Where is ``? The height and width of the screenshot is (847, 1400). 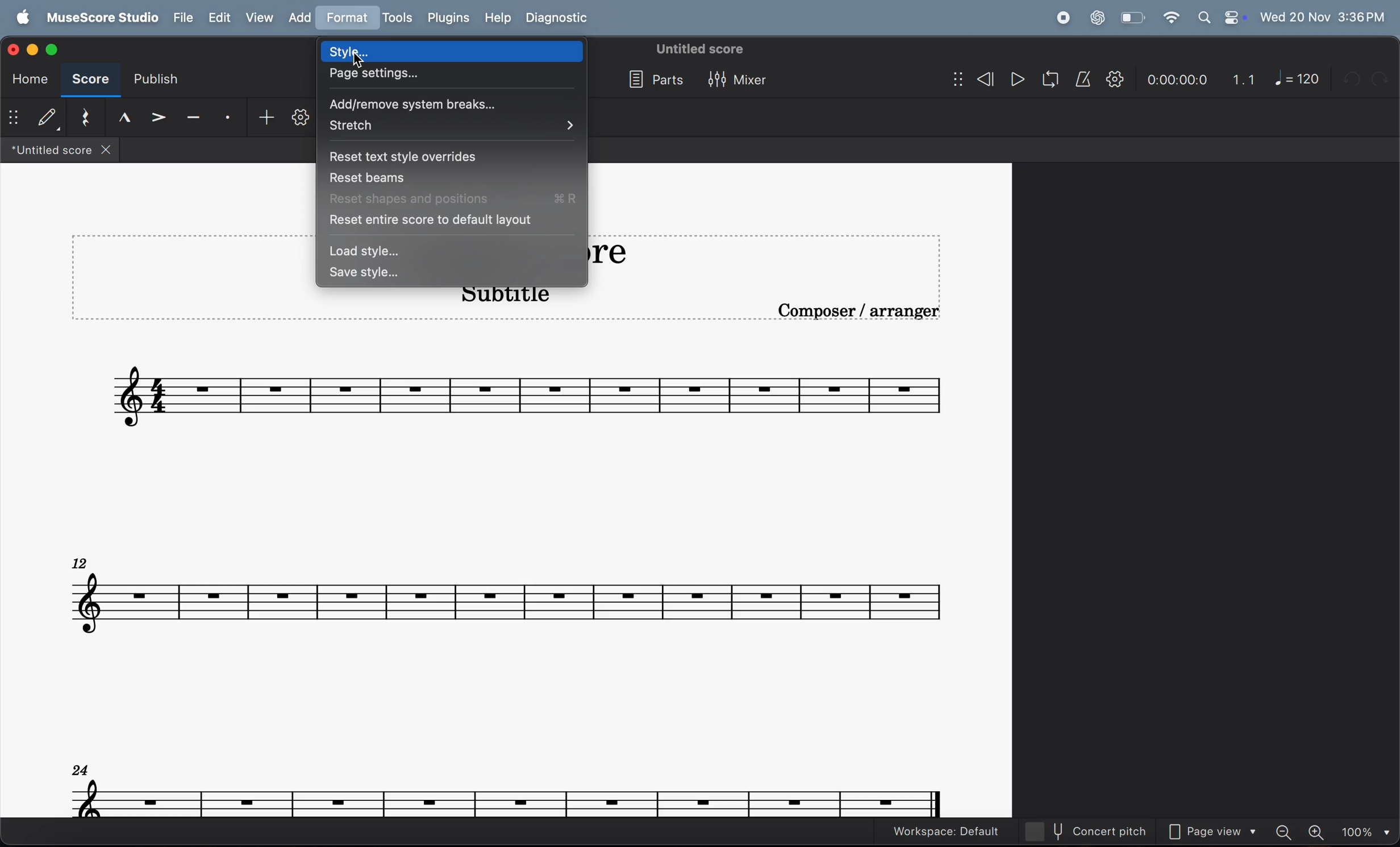
 is located at coordinates (1013, 80).